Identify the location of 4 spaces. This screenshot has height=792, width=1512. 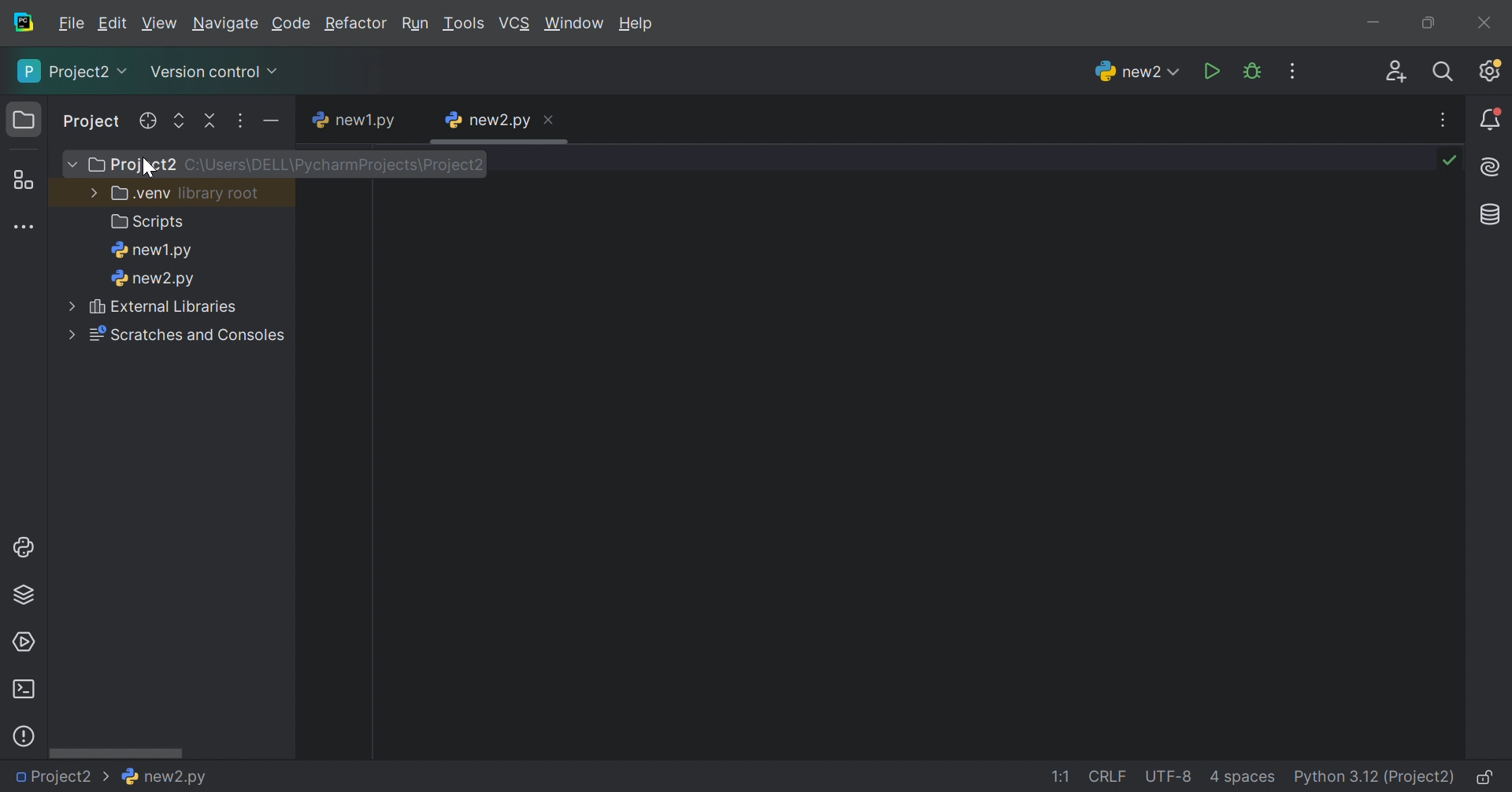
(1243, 775).